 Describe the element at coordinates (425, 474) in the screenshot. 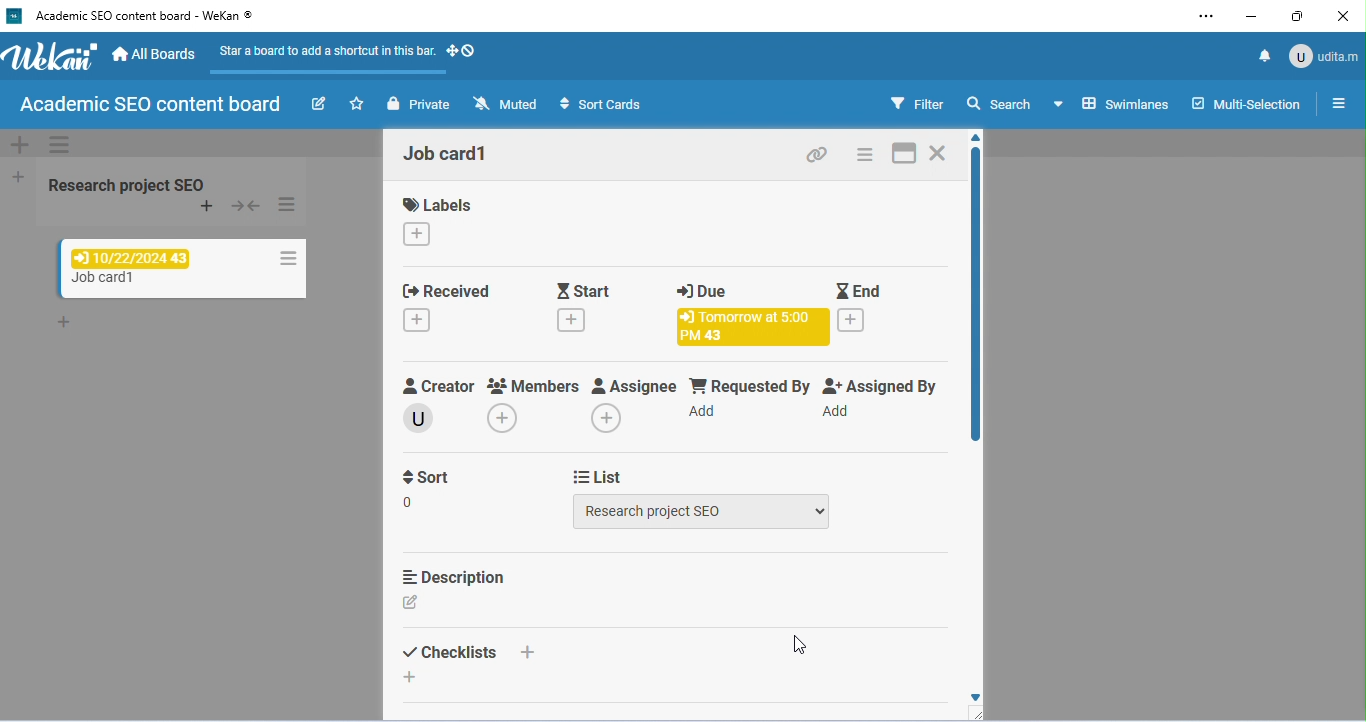

I see `sort` at that location.